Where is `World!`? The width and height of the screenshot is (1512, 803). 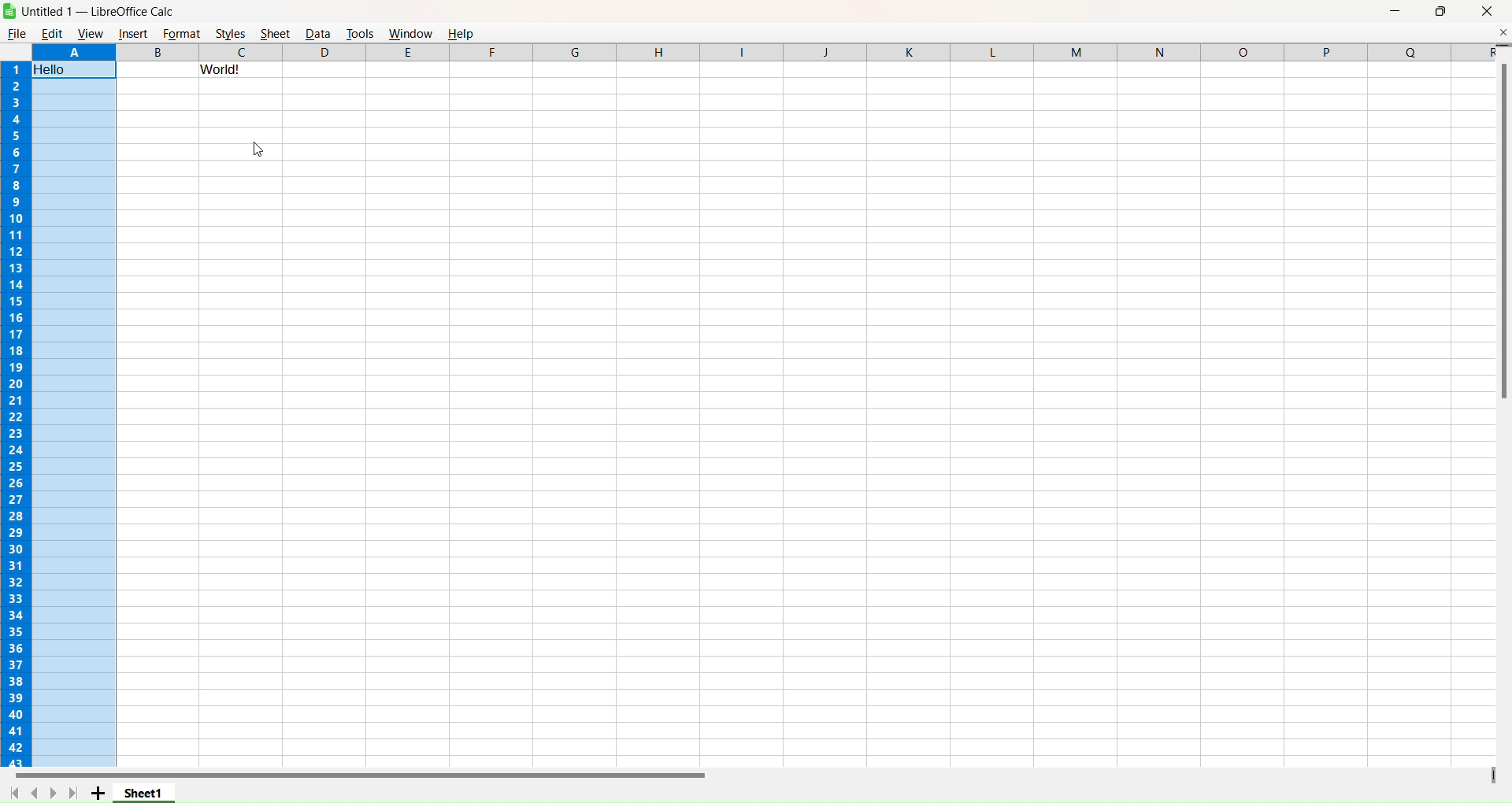
World! is located at coordinates (240, 71).